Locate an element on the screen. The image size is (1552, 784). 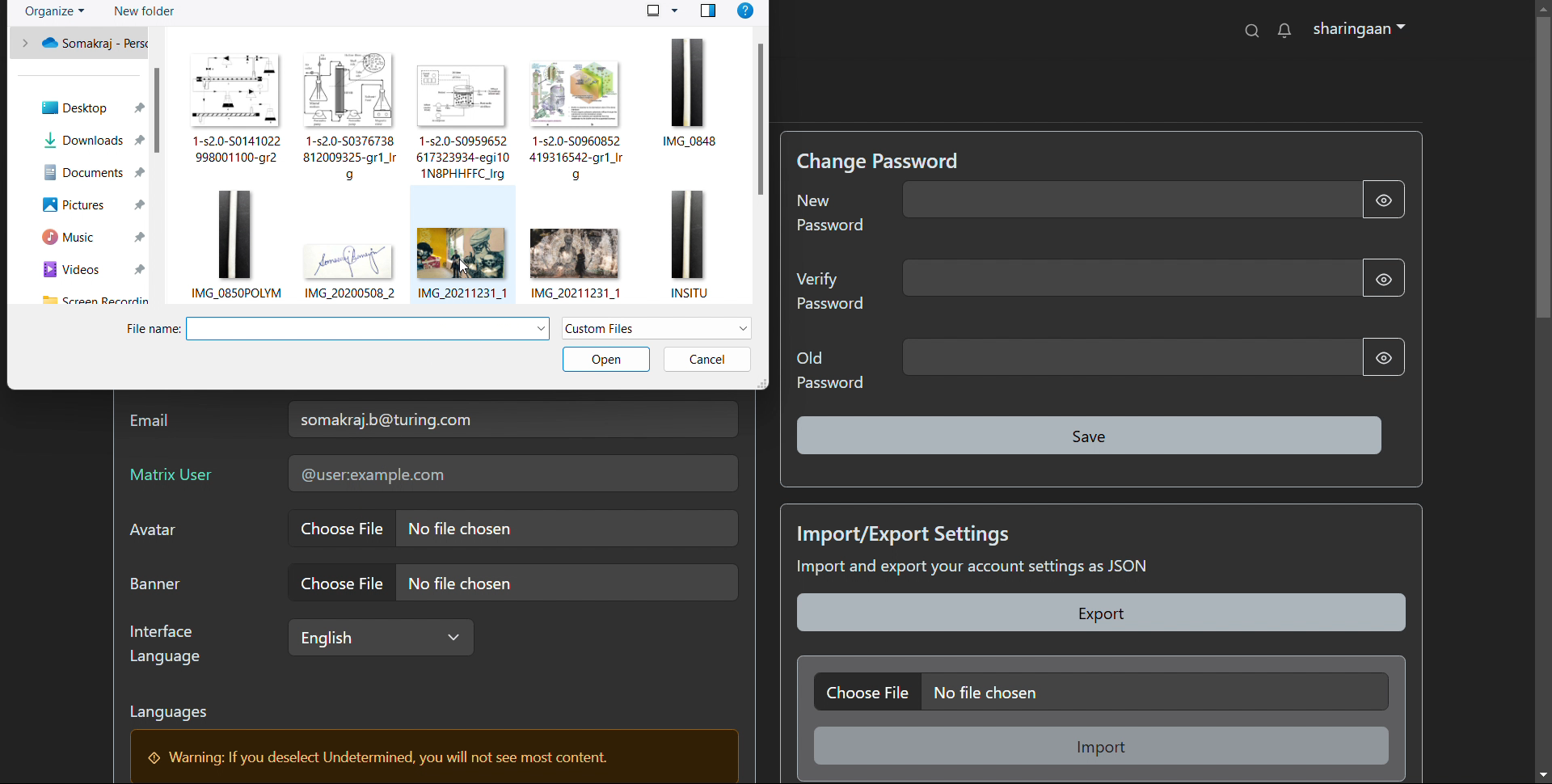
Pictures is located at coordinates (93, 203).